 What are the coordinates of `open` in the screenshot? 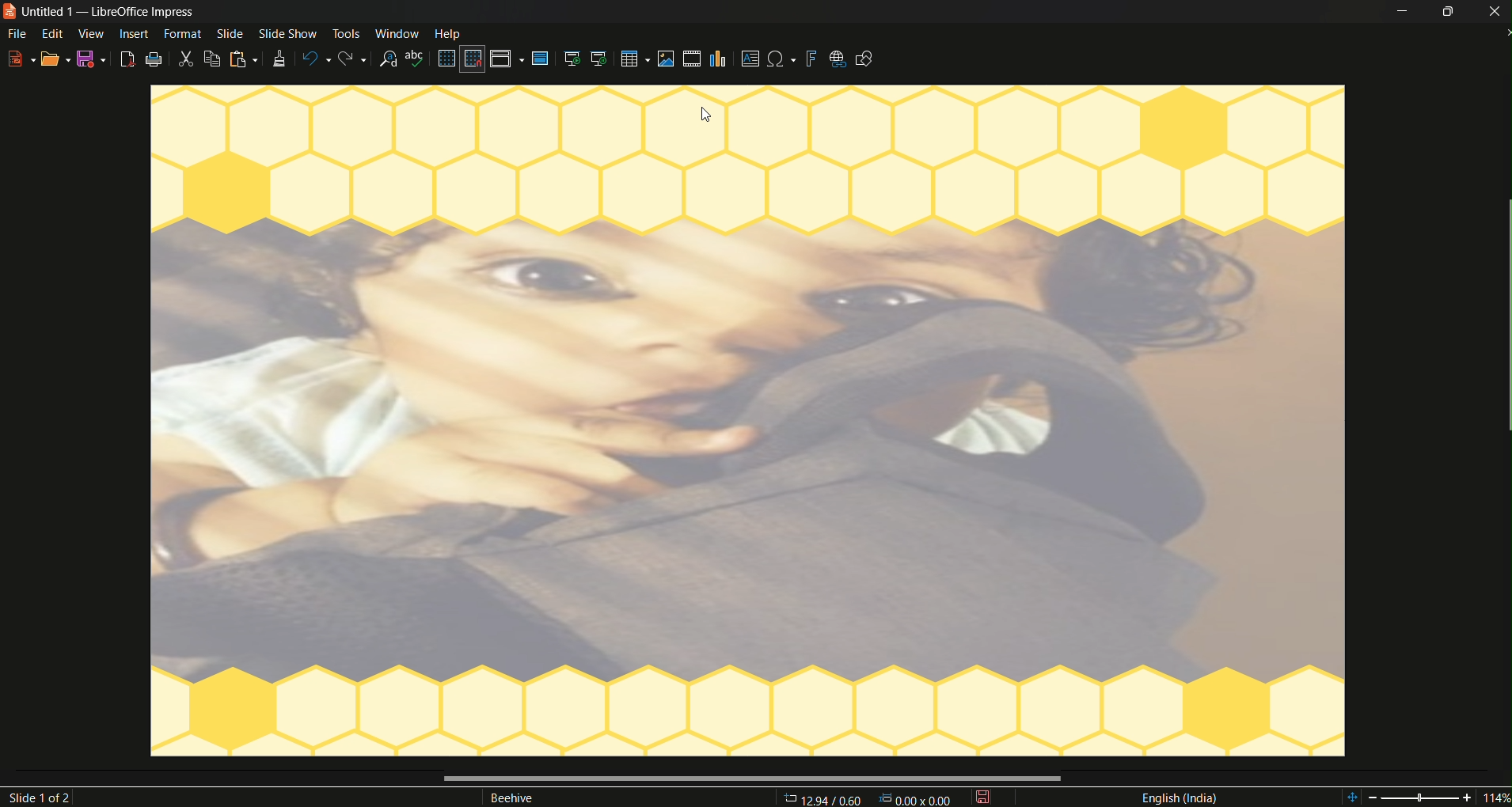 It's located at (56, 59).